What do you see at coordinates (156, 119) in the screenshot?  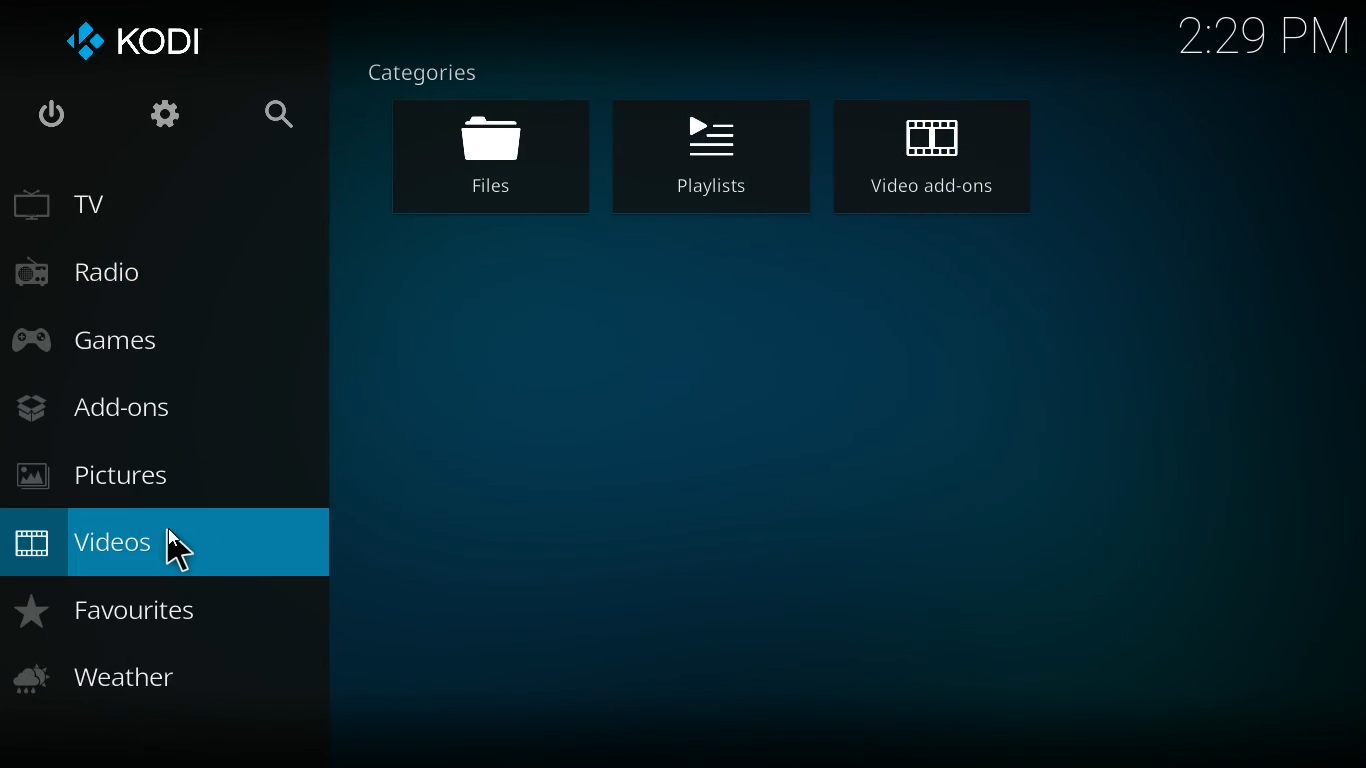 I see `settings` at bounding box center [156, 119].